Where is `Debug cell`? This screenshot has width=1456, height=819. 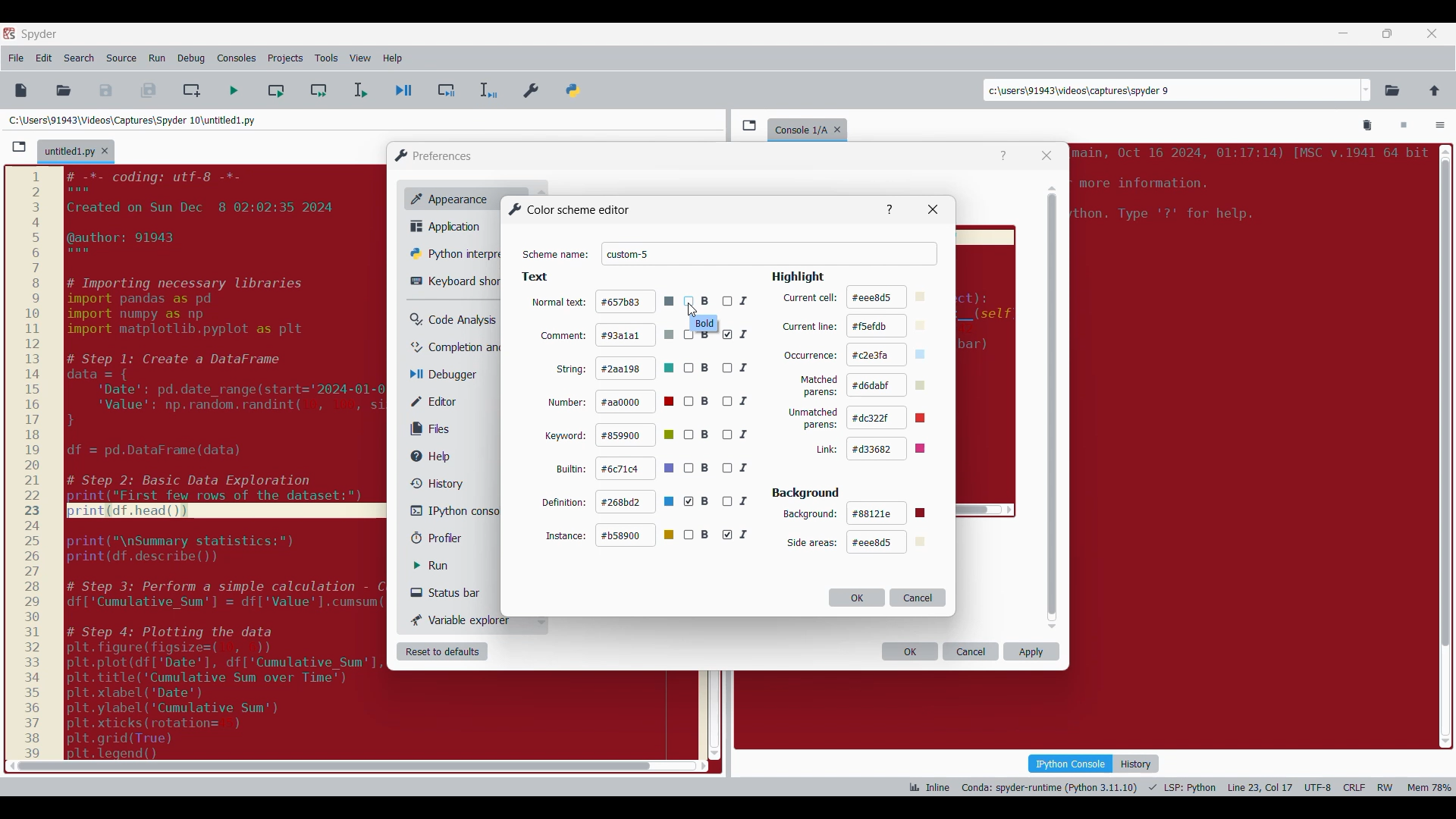 Debug cell is located at coordinates (447, 90).